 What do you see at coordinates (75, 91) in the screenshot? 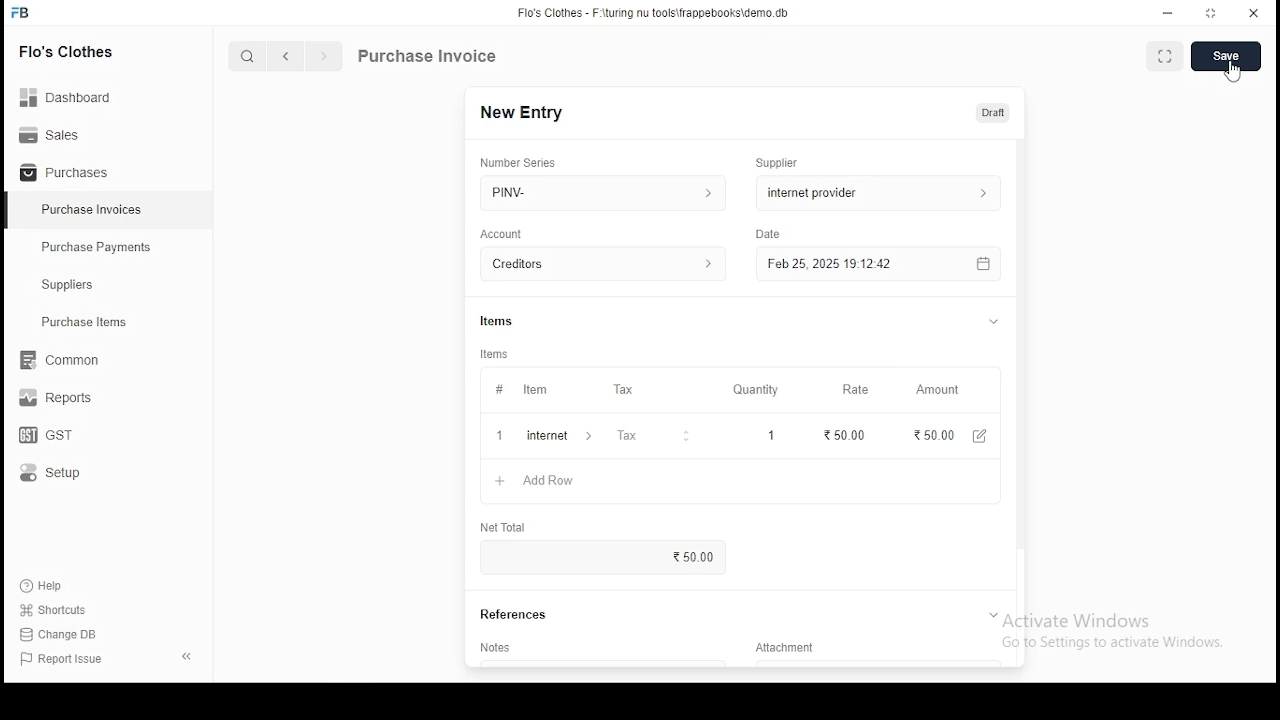
I see `dashboard` at bounding box center [75, 91].